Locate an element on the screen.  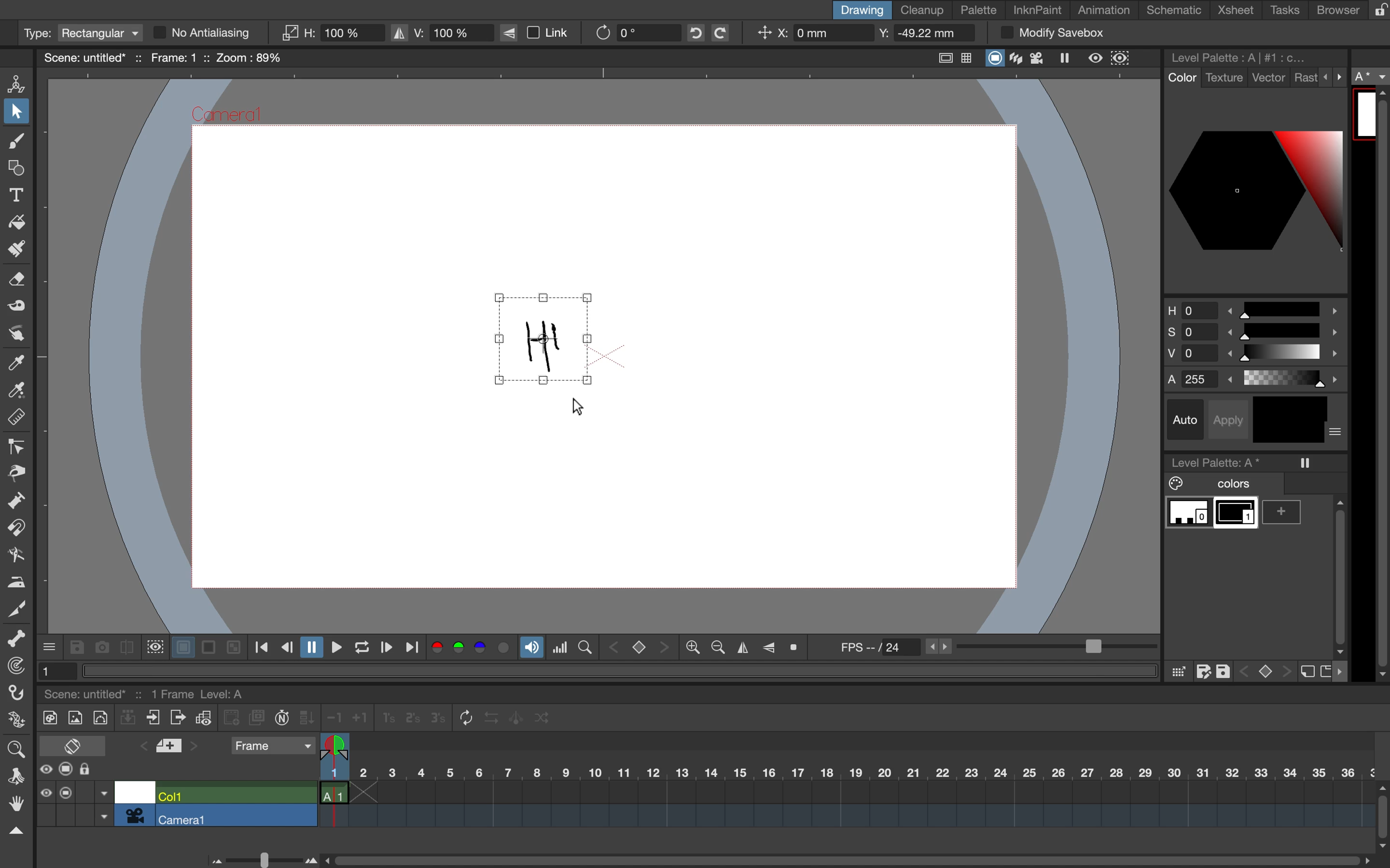
colors is located at coordinates (1217, 484).